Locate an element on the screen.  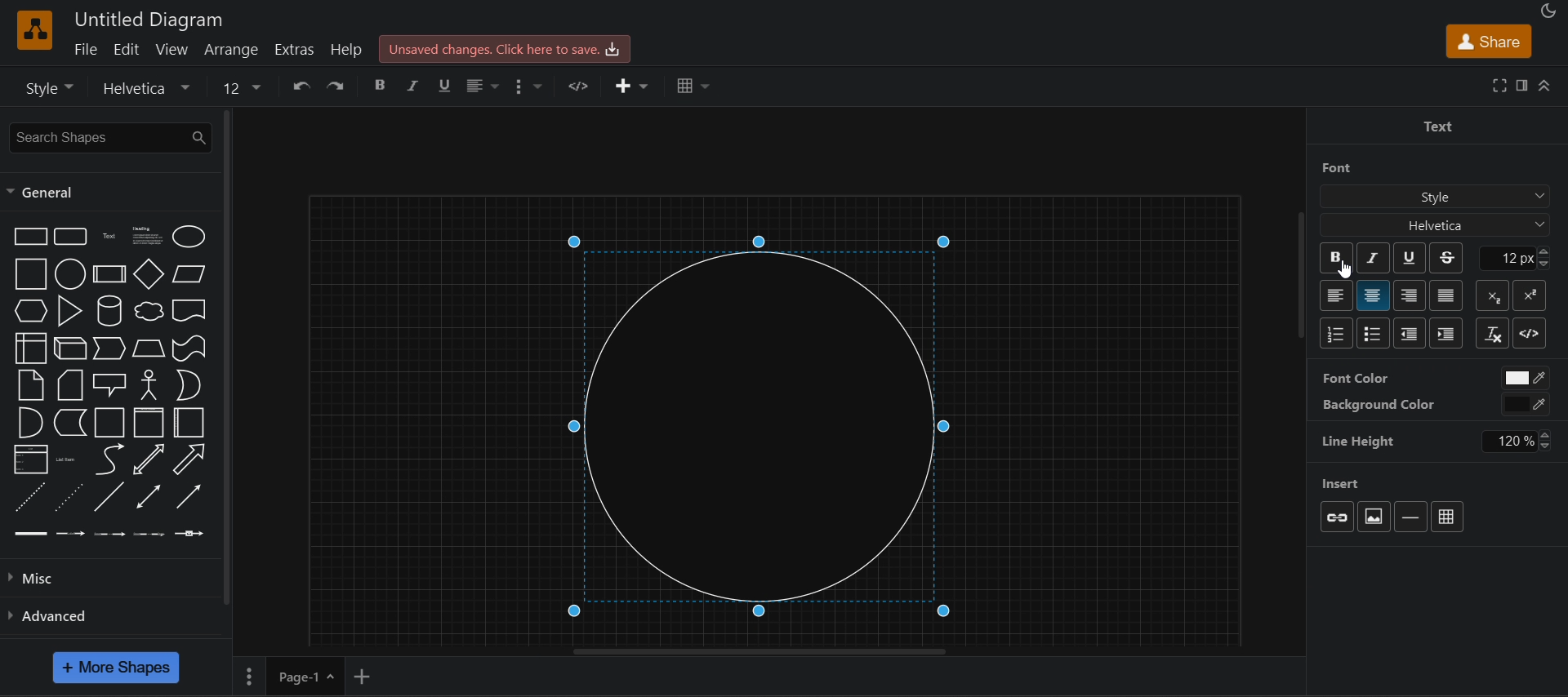
hexagon is located at coordinates (28, 311).